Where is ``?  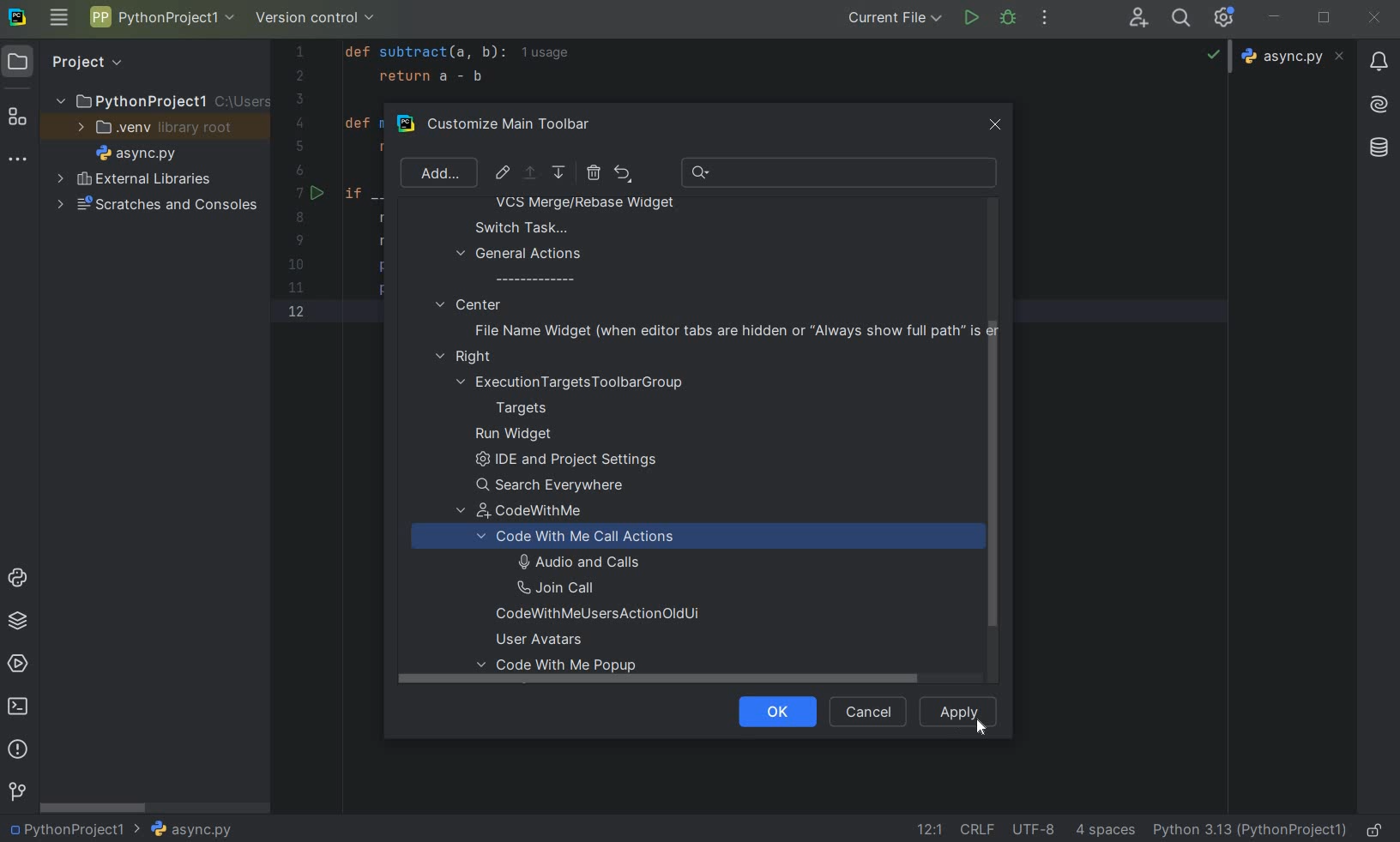  is located at coordinates (1377, 148).